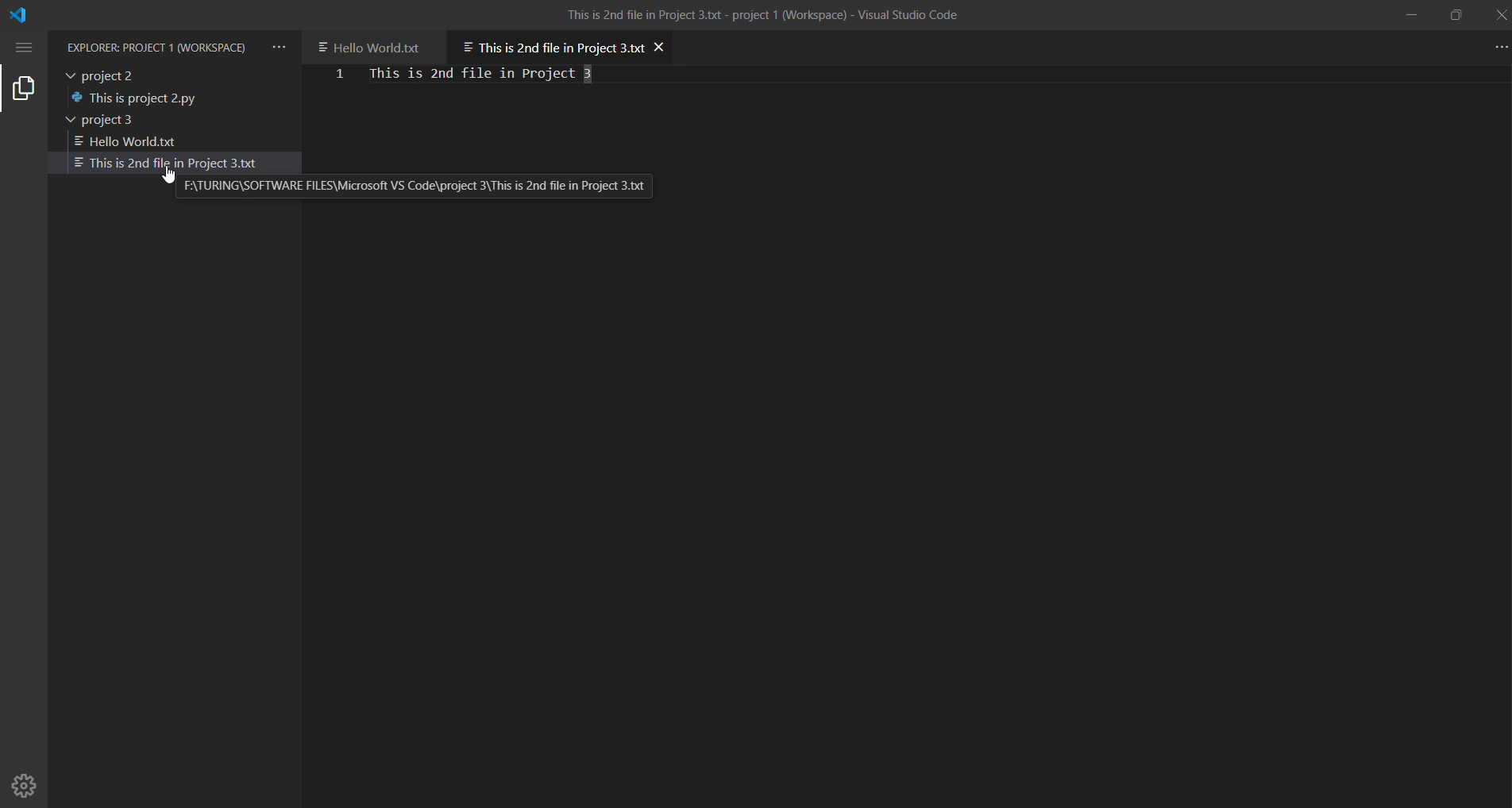  Describe the element at coordinates (168, 180) in the screenshot. I see `cursor` at that location.